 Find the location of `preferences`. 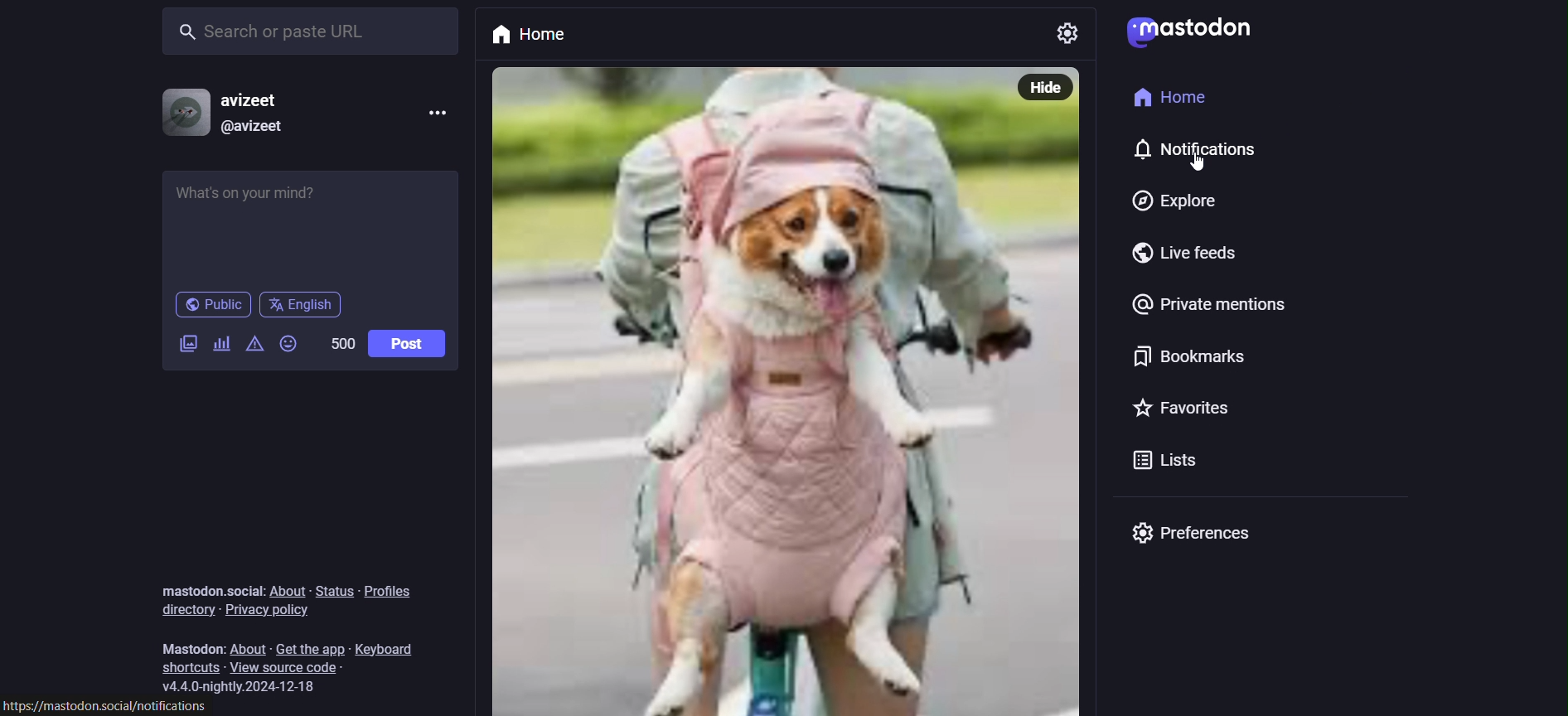

preferences is located at coordinates (1190, 534).